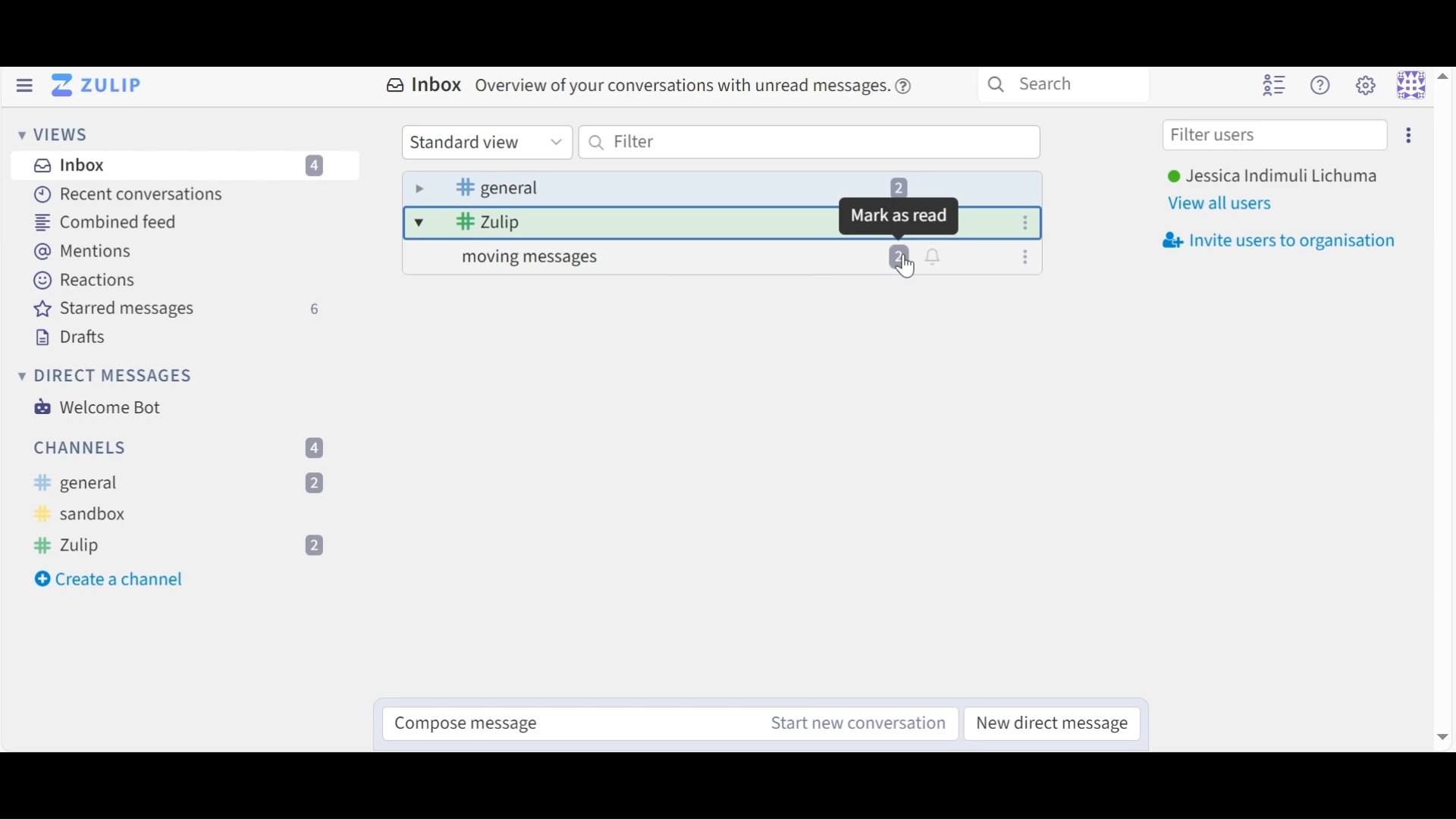  Describe the element at coordinates (1275, 86) in the screenshot. I see `Hide User list` at that location.